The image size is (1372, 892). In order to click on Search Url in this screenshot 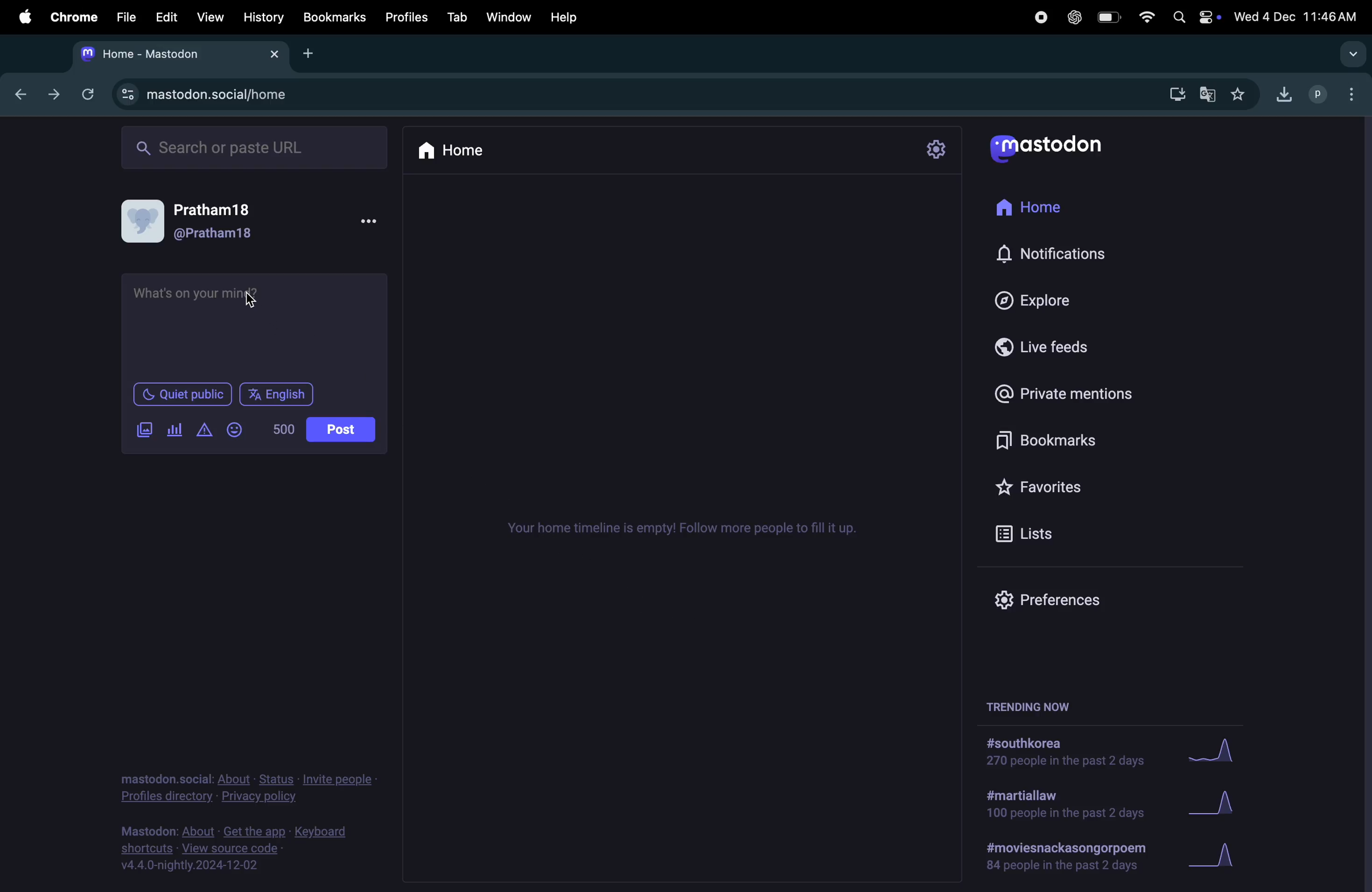, I will do `click(257, 148)`.